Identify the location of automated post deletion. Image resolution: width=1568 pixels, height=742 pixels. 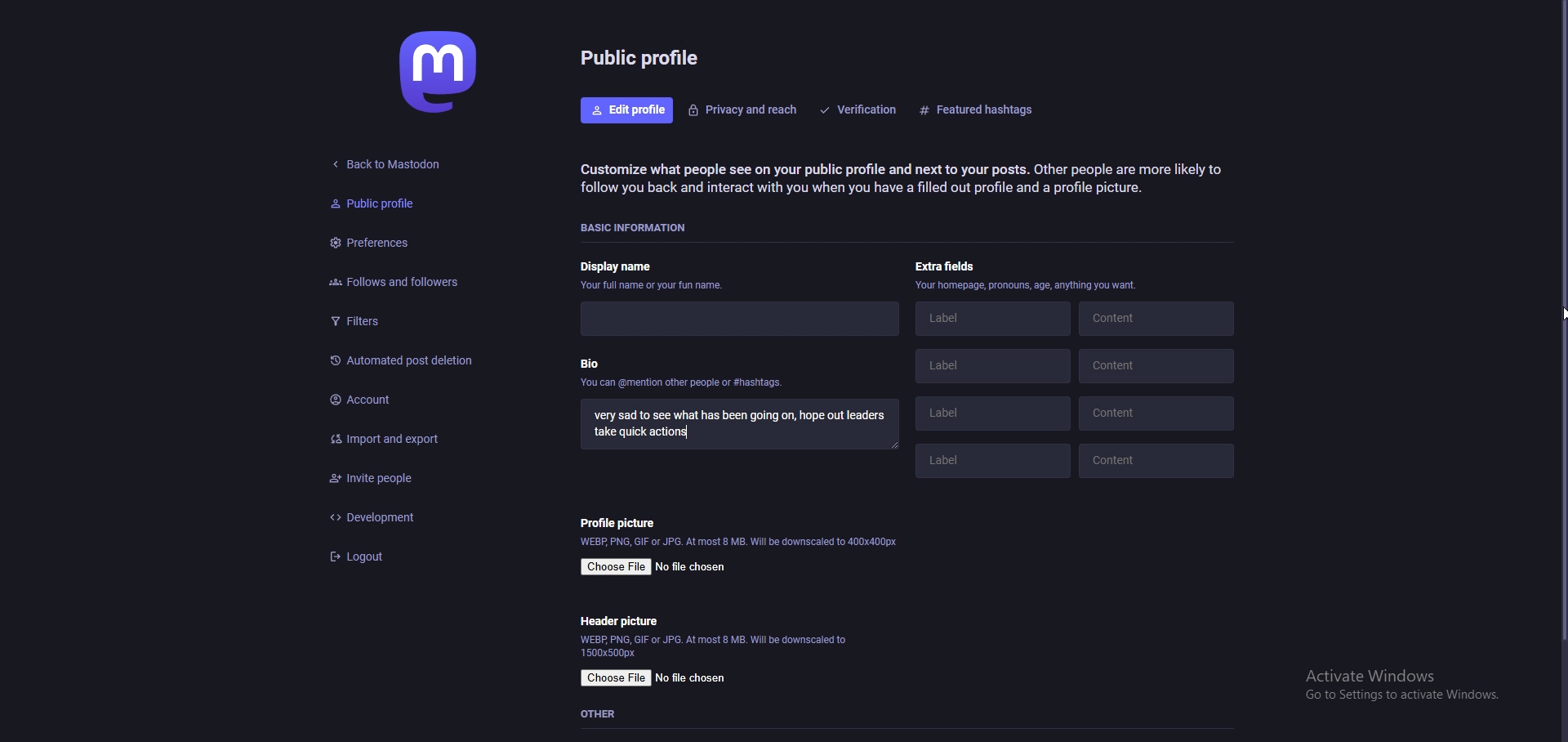
(413, 362).